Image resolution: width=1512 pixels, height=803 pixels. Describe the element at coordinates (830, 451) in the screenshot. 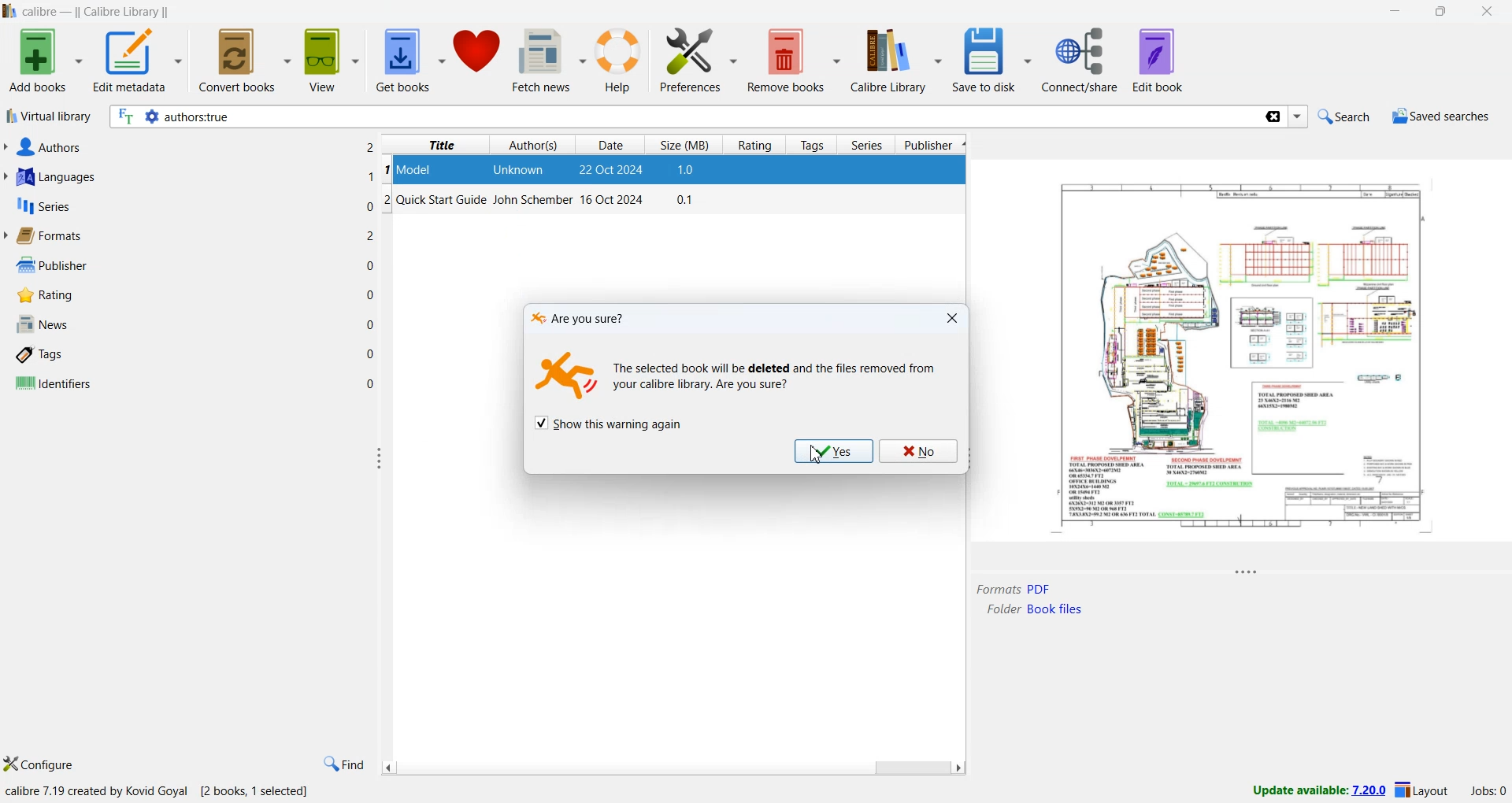

I see `Yes ` at that location.